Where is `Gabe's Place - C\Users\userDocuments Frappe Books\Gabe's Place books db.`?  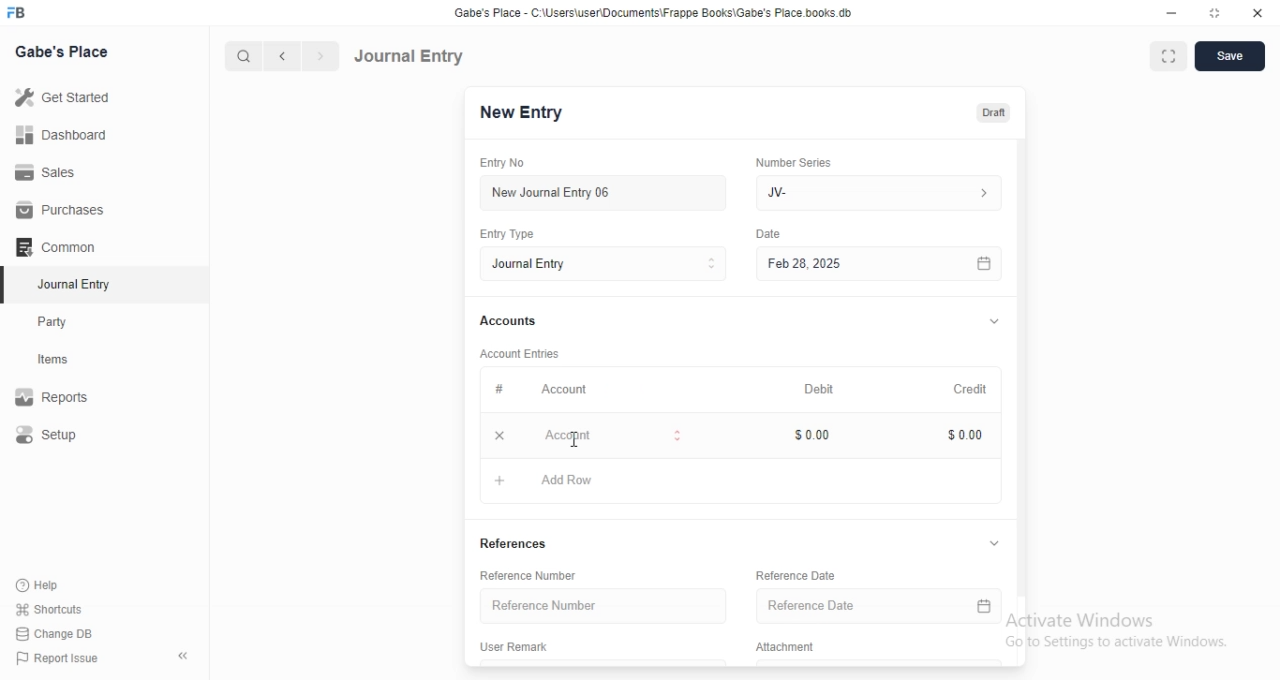 Gabe's Place - C\Users\userDocuments Frappe Books\Gabe's Place books db. is located at coordinates (654, 13).